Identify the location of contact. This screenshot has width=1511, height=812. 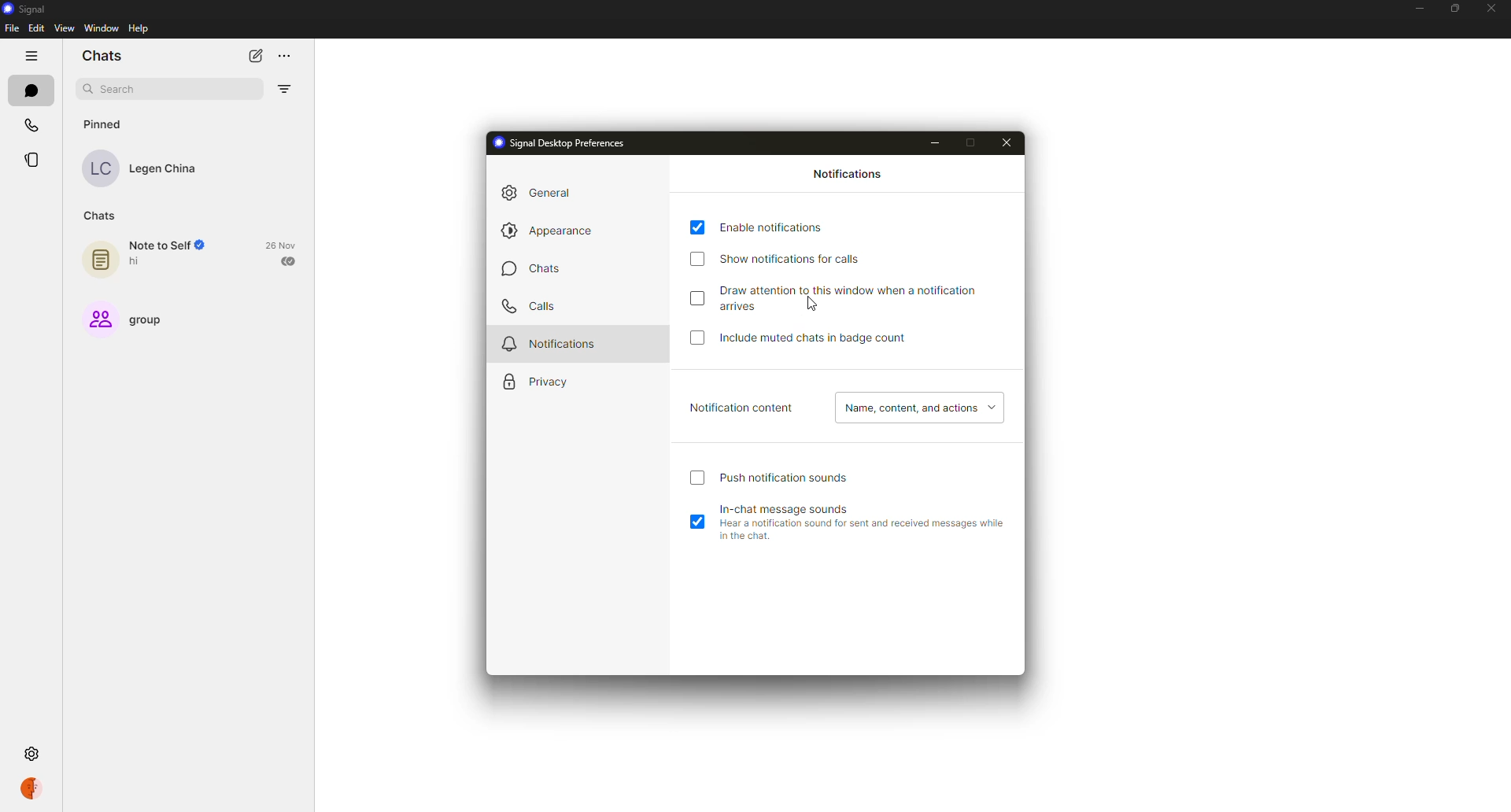
(151, 168).